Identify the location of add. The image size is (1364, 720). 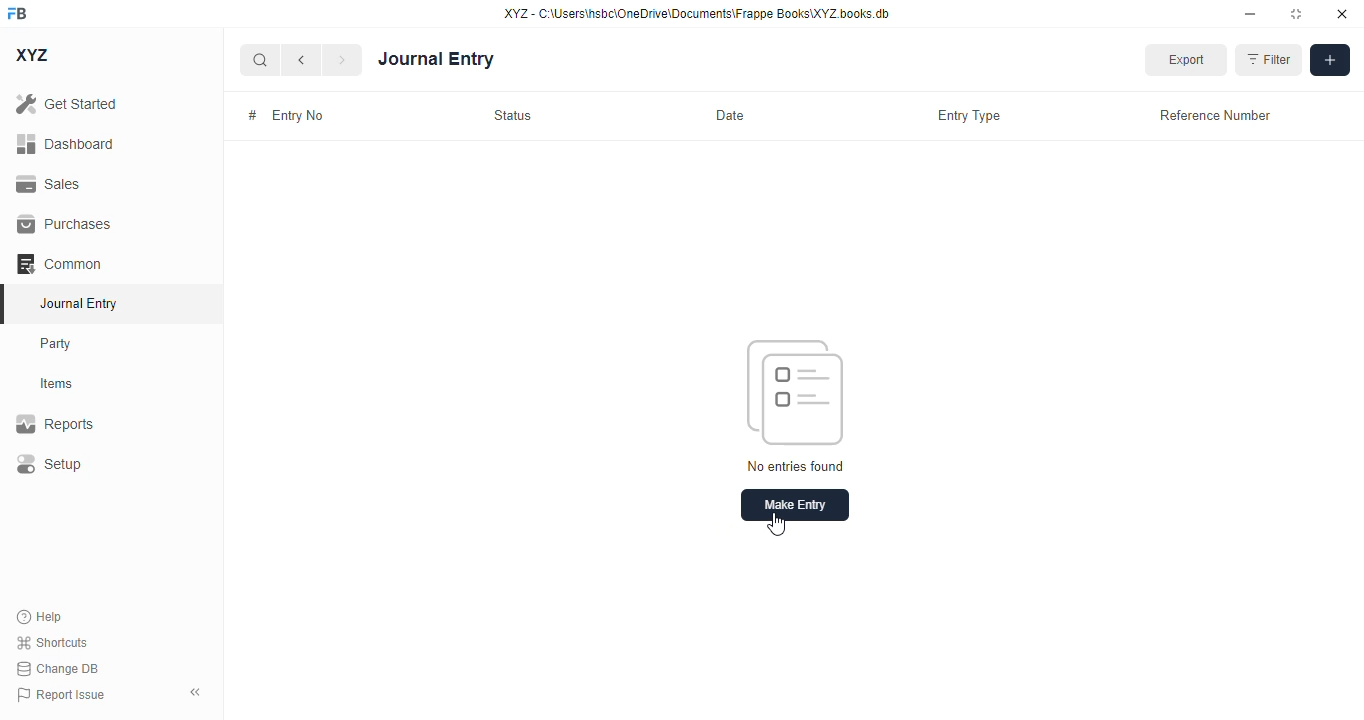
(1330, 60).